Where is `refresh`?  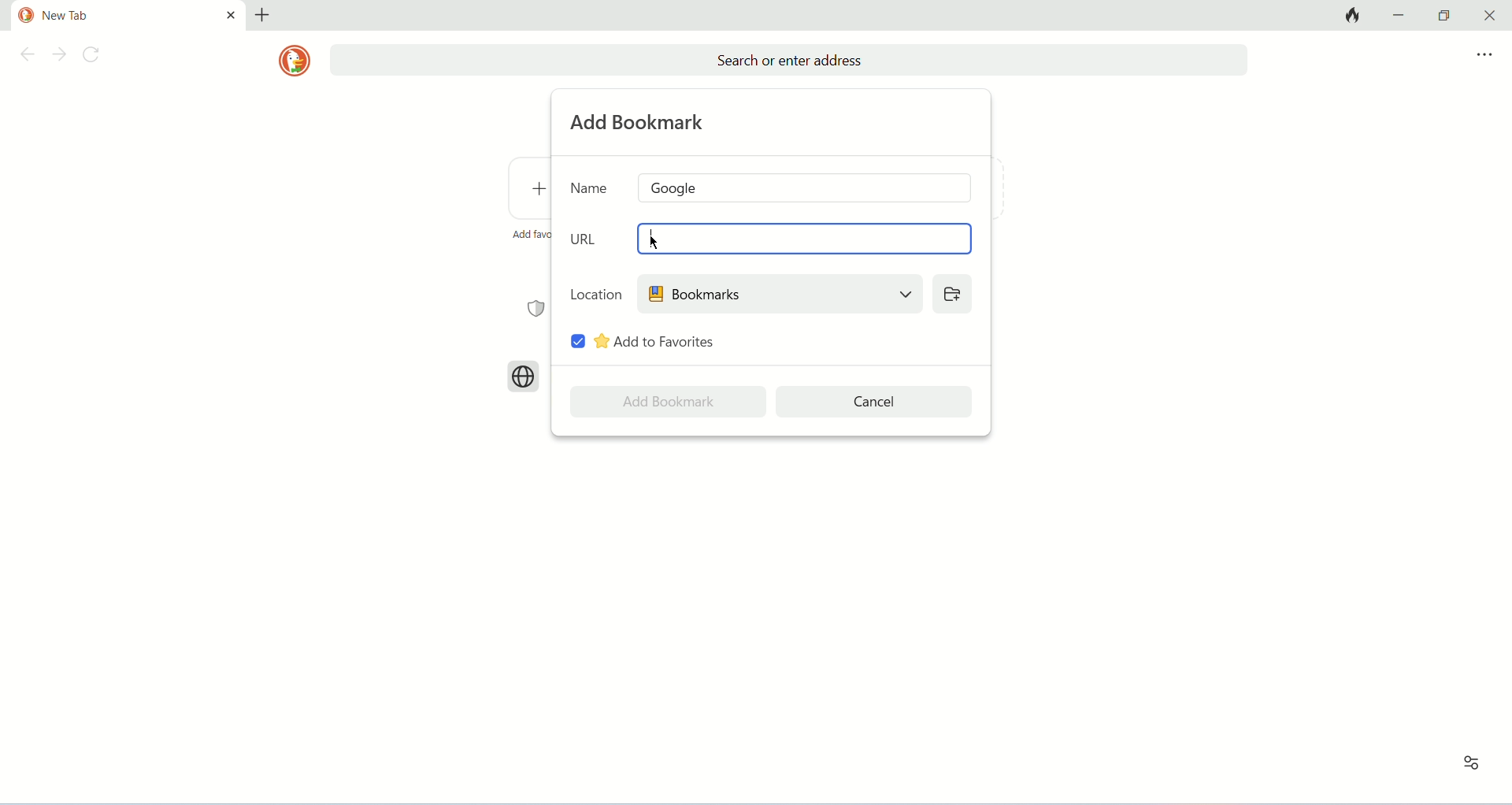 refresh is located at coordinates (95, 57).